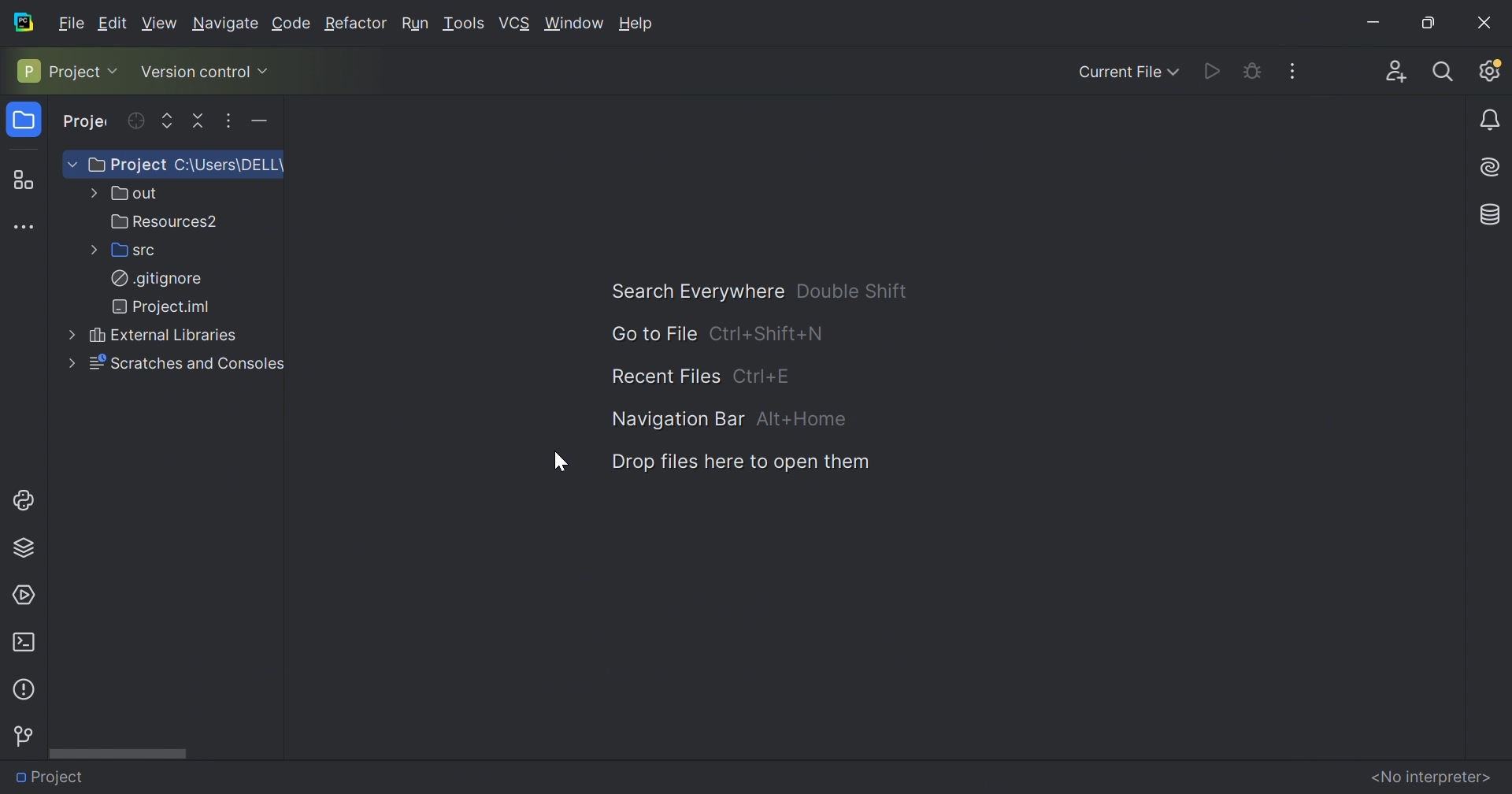  Describe the element at coordinates (661, 376) in the screenshot. I see `Recent files` at that location.